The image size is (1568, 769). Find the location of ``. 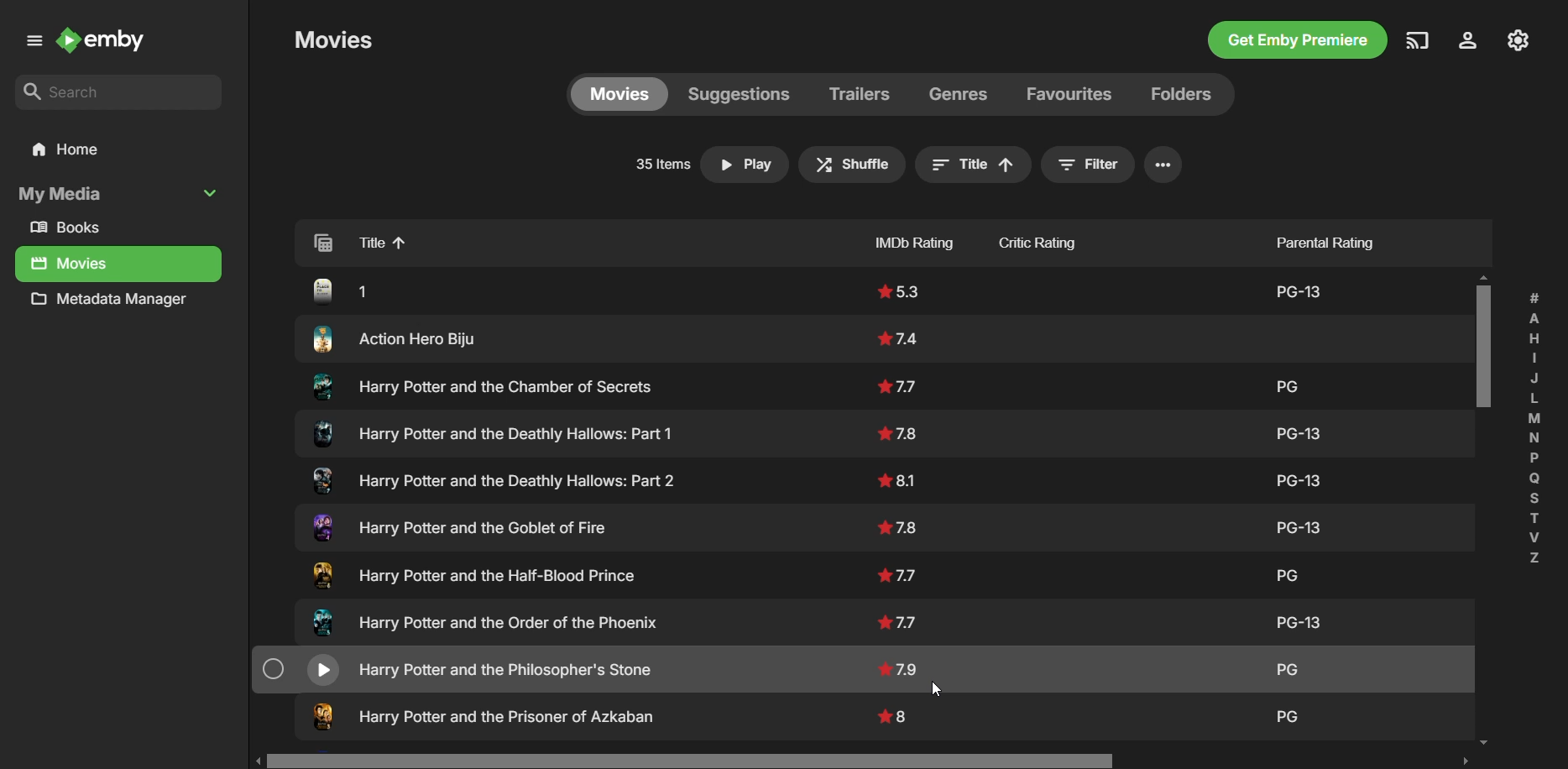

 is located at coordinates (1288, 384).